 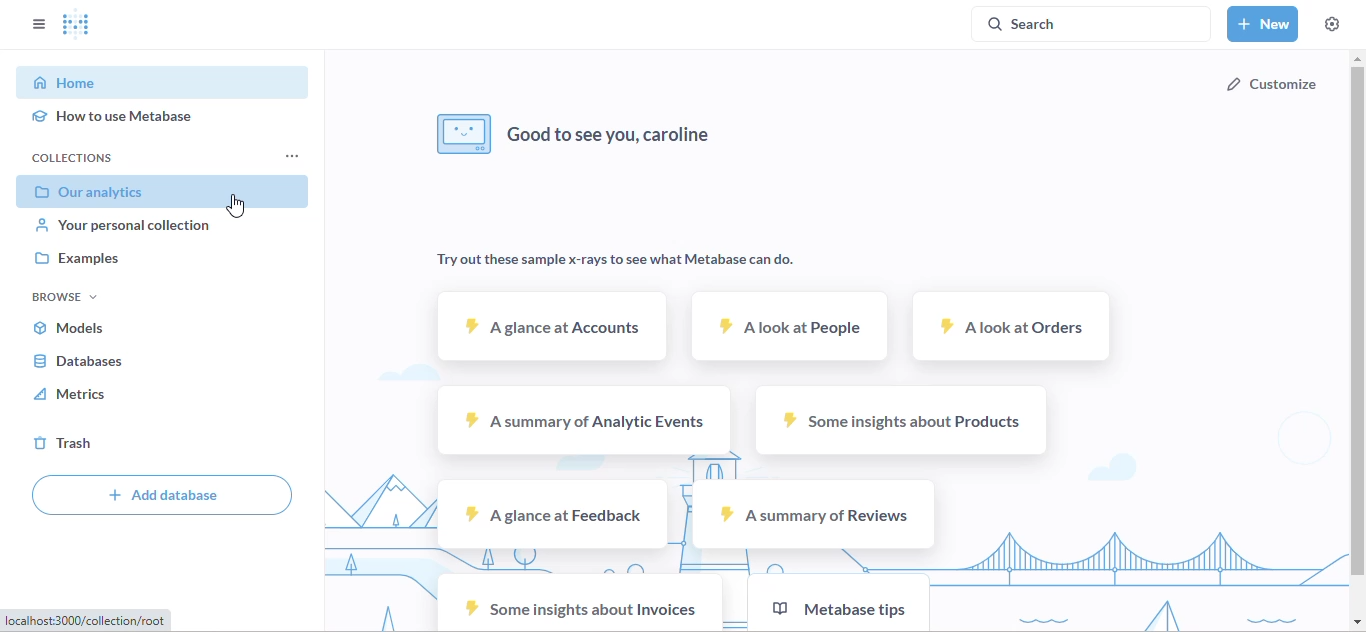 I want to click on a glance at feedback, so click(x=549, y=513).